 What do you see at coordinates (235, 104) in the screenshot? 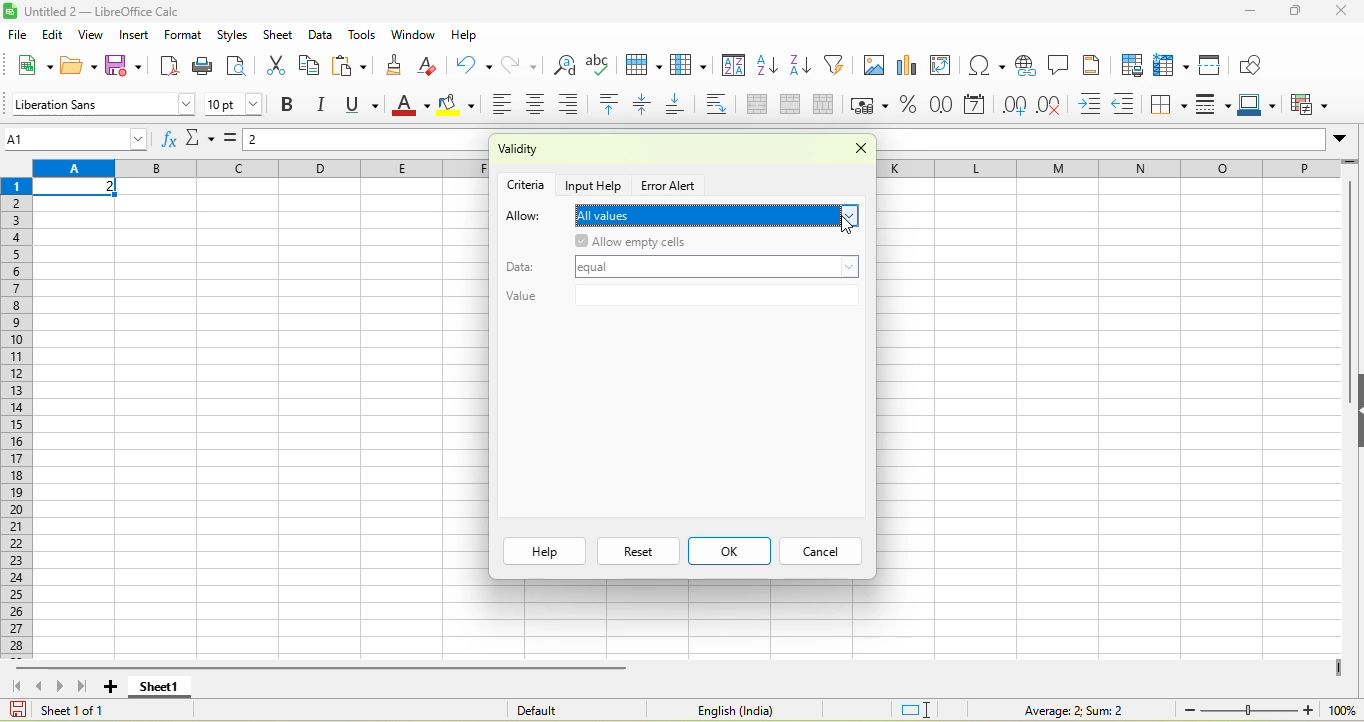
I see `font size` at bounding box center [235, 104].